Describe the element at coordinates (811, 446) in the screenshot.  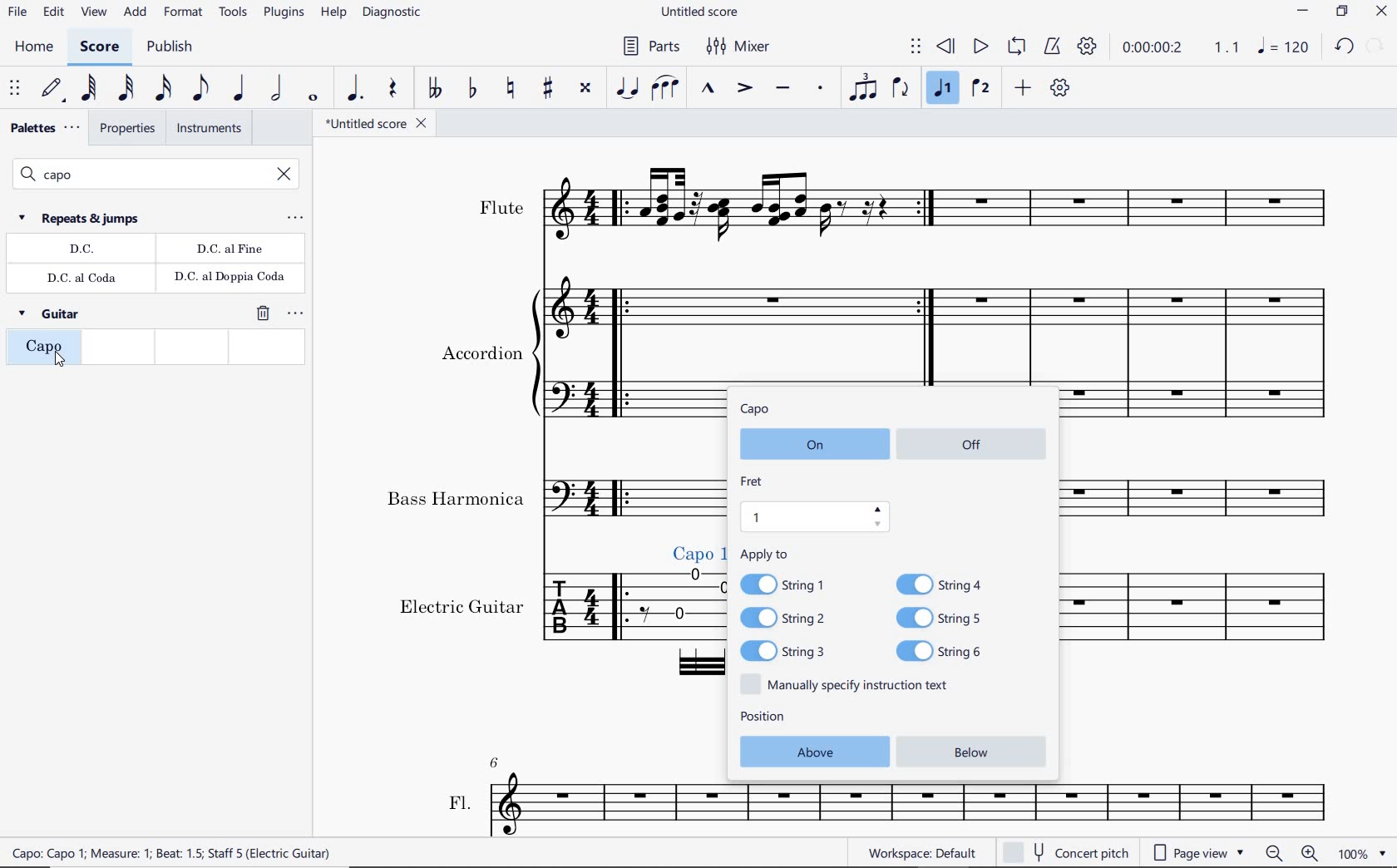
I see `On` at that location.